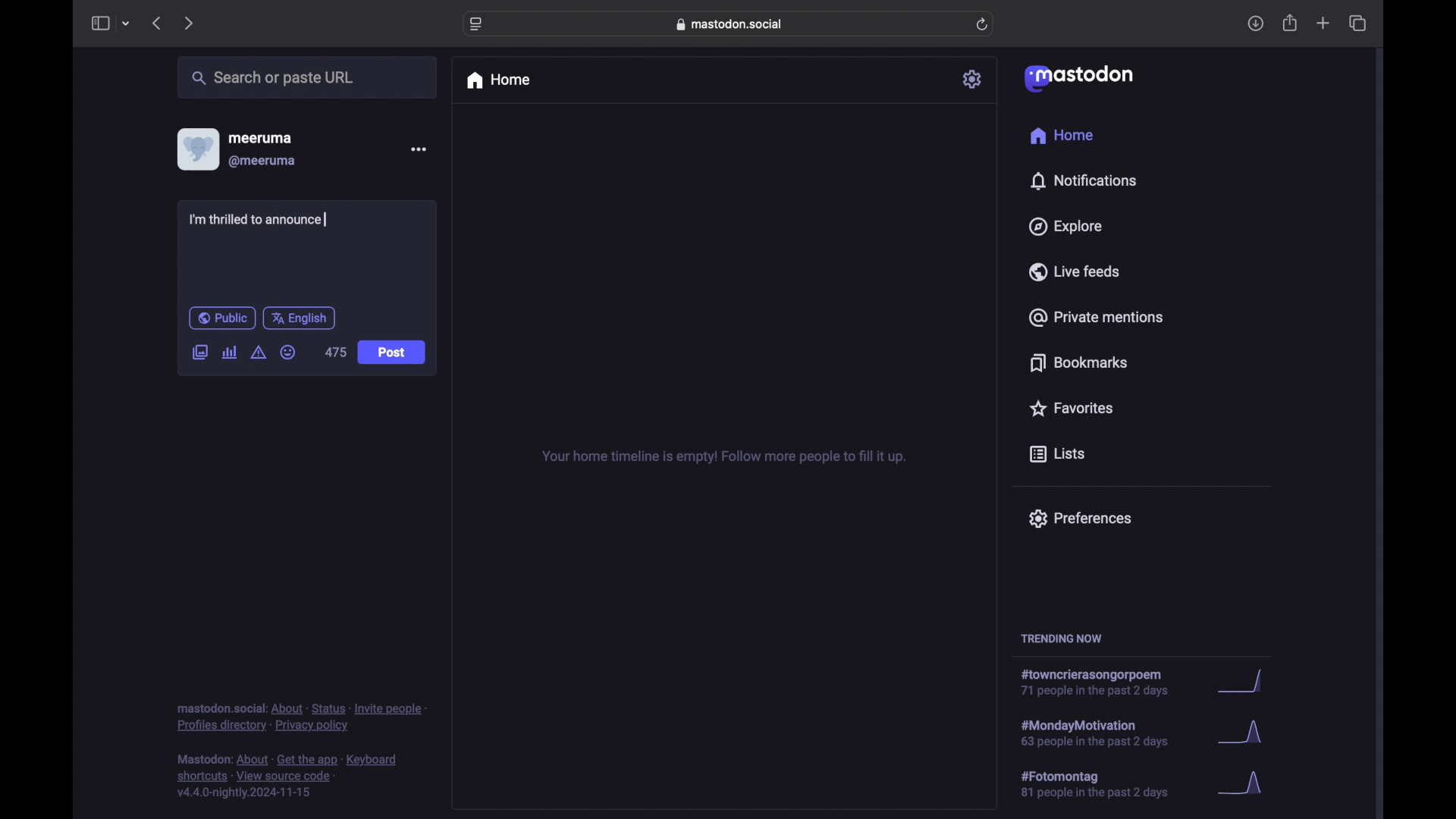 This screenshot has width=1456, height=819. Describe the element at coordinates (273, 77) in the screenshot. I see `share or paste url` at that location.